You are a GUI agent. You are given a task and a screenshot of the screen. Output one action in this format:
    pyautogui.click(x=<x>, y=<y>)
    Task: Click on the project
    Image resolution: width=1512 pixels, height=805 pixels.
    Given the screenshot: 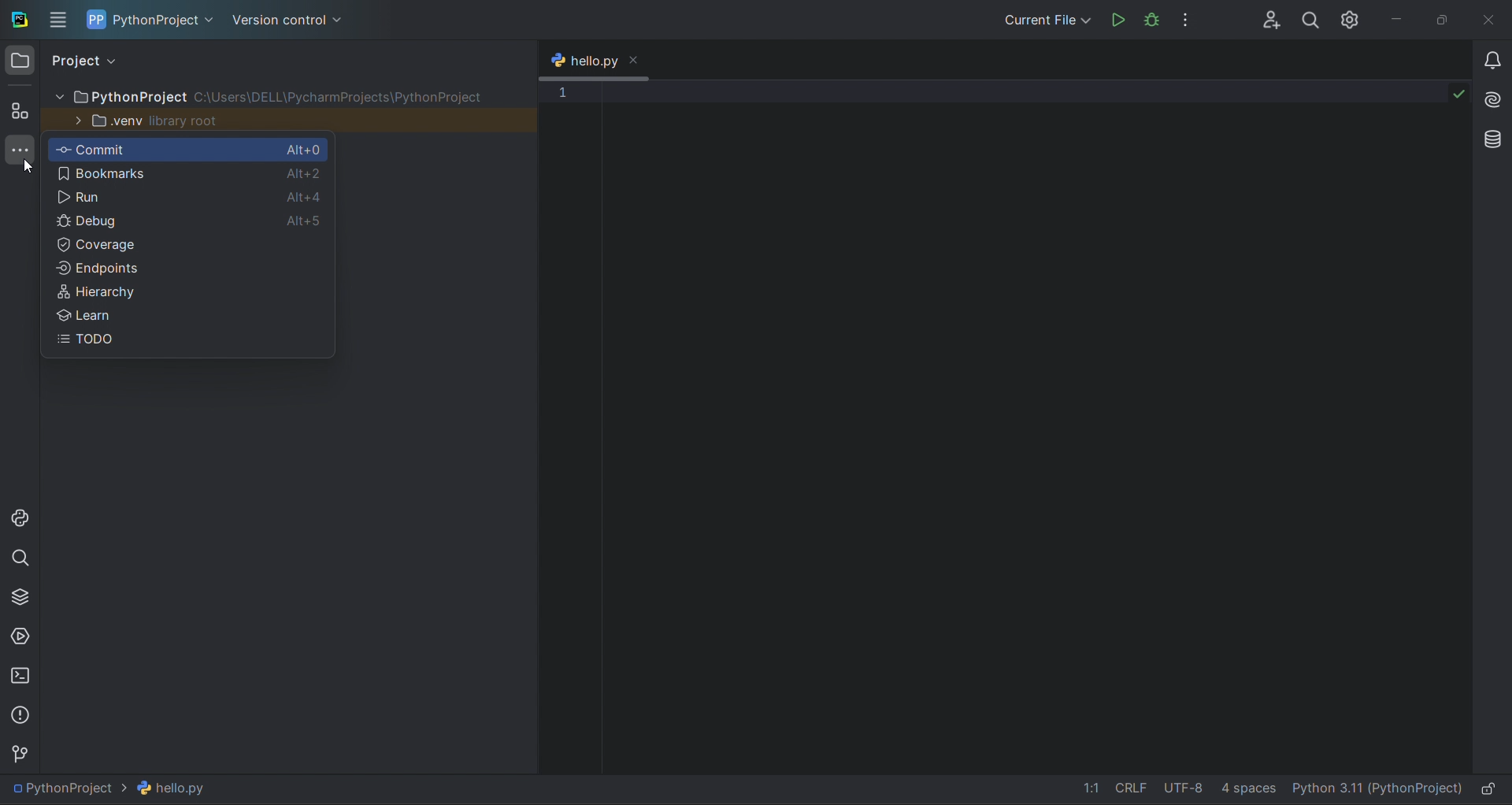 What is the action you would take?
    pyautogui.click(x=90, y=61)
    